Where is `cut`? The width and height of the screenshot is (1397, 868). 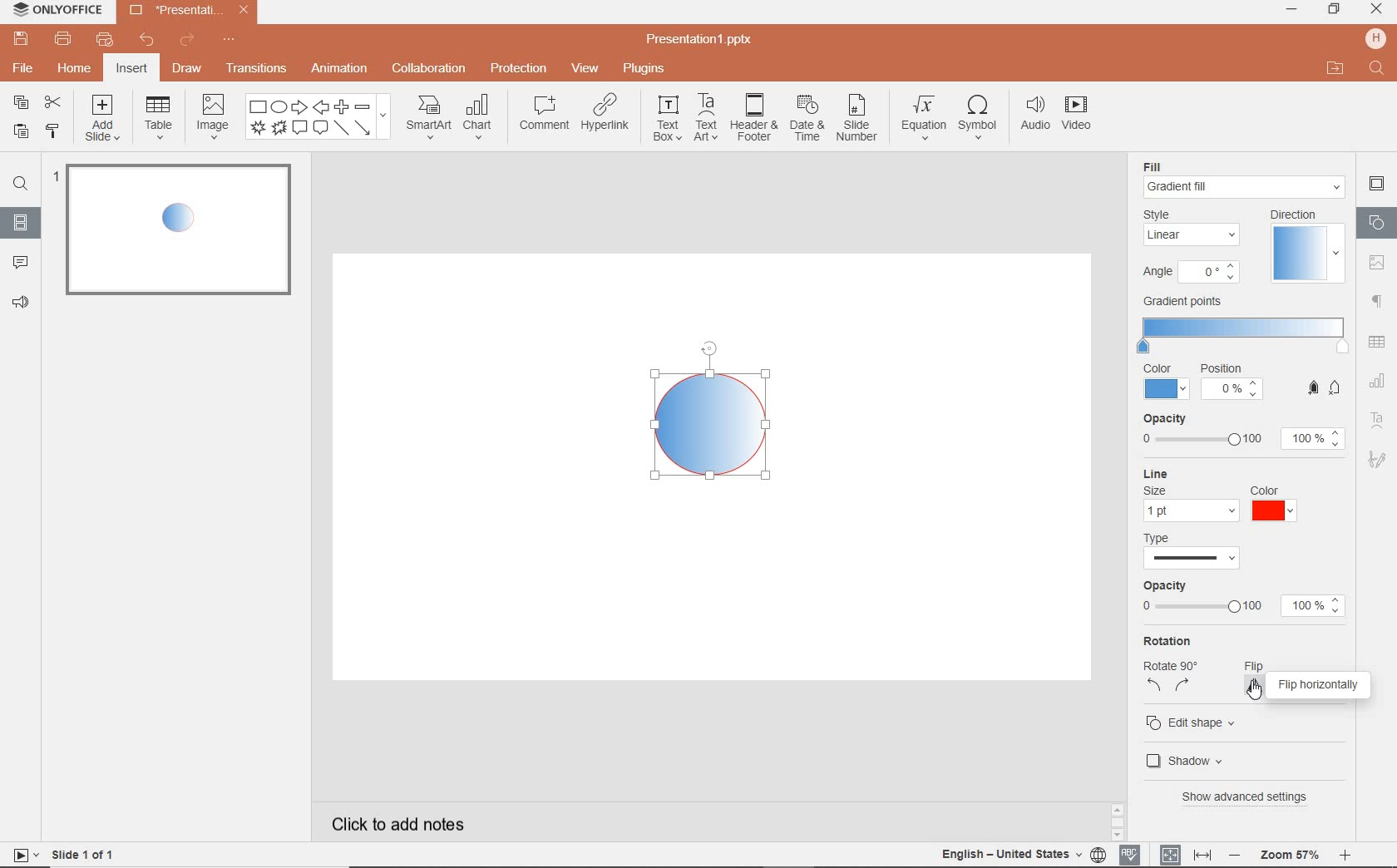 cut is located at coordinates (52, 102).